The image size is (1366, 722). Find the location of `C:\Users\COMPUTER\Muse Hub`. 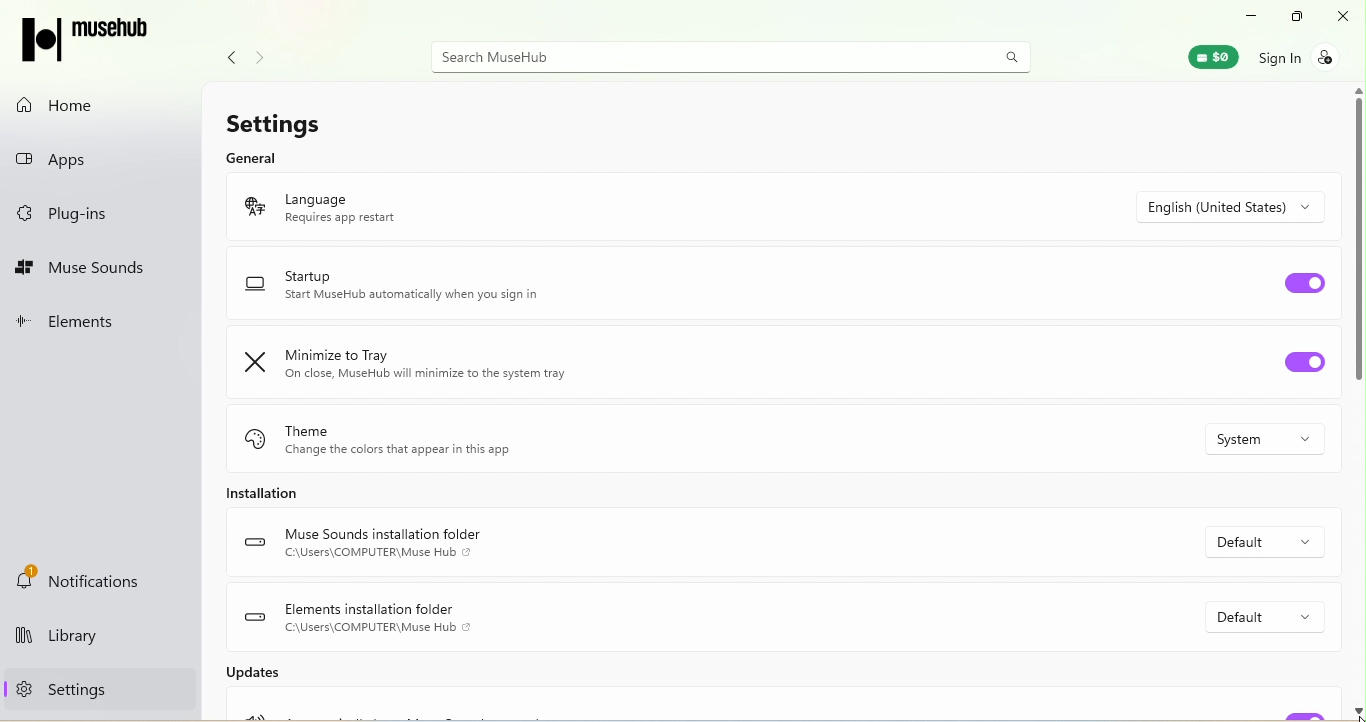

C:\Users\COMPUTER\Muse Hub is located at coordinates (379, 629).